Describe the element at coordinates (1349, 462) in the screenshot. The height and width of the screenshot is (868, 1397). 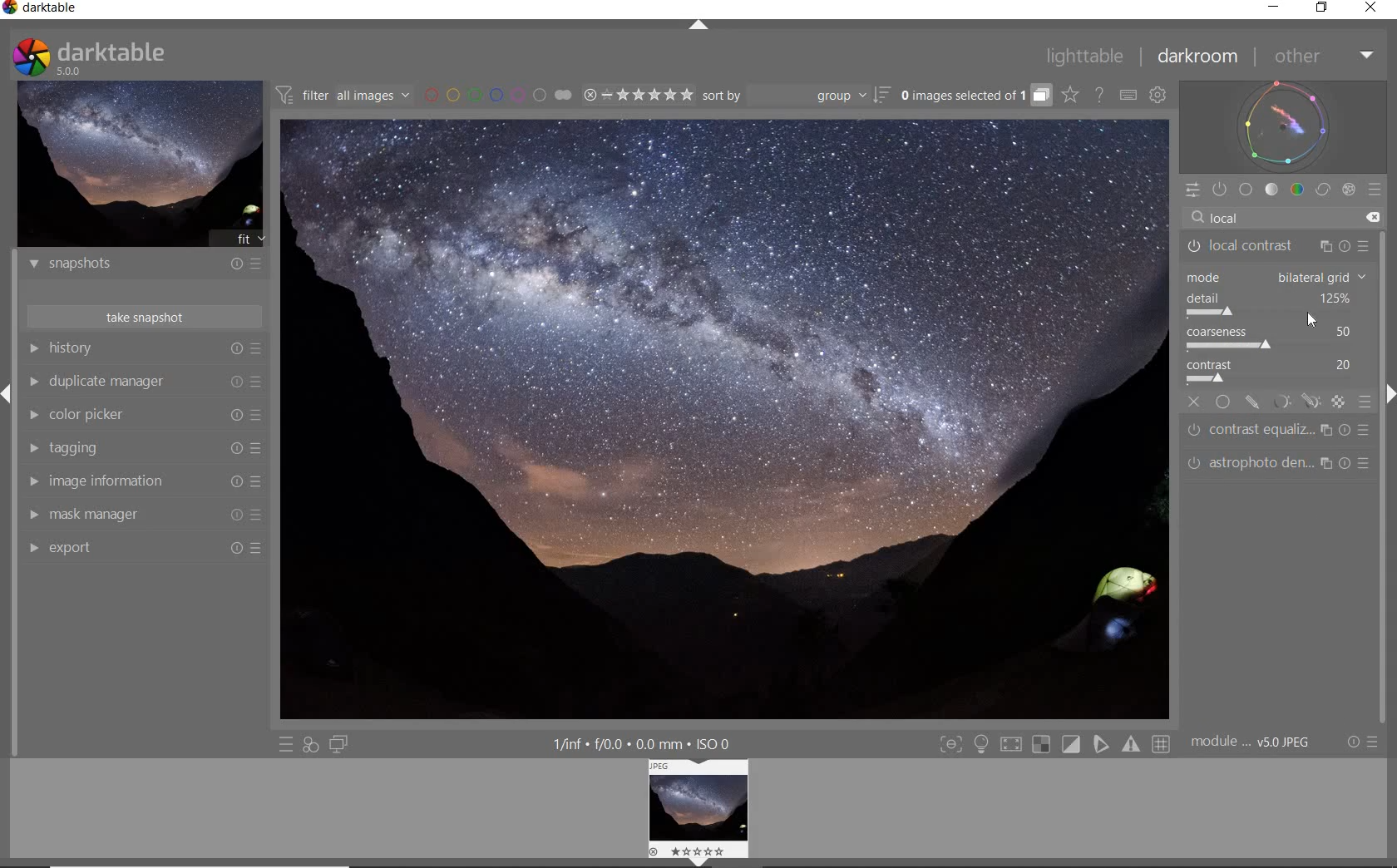
I see `reset parameters` at that location.